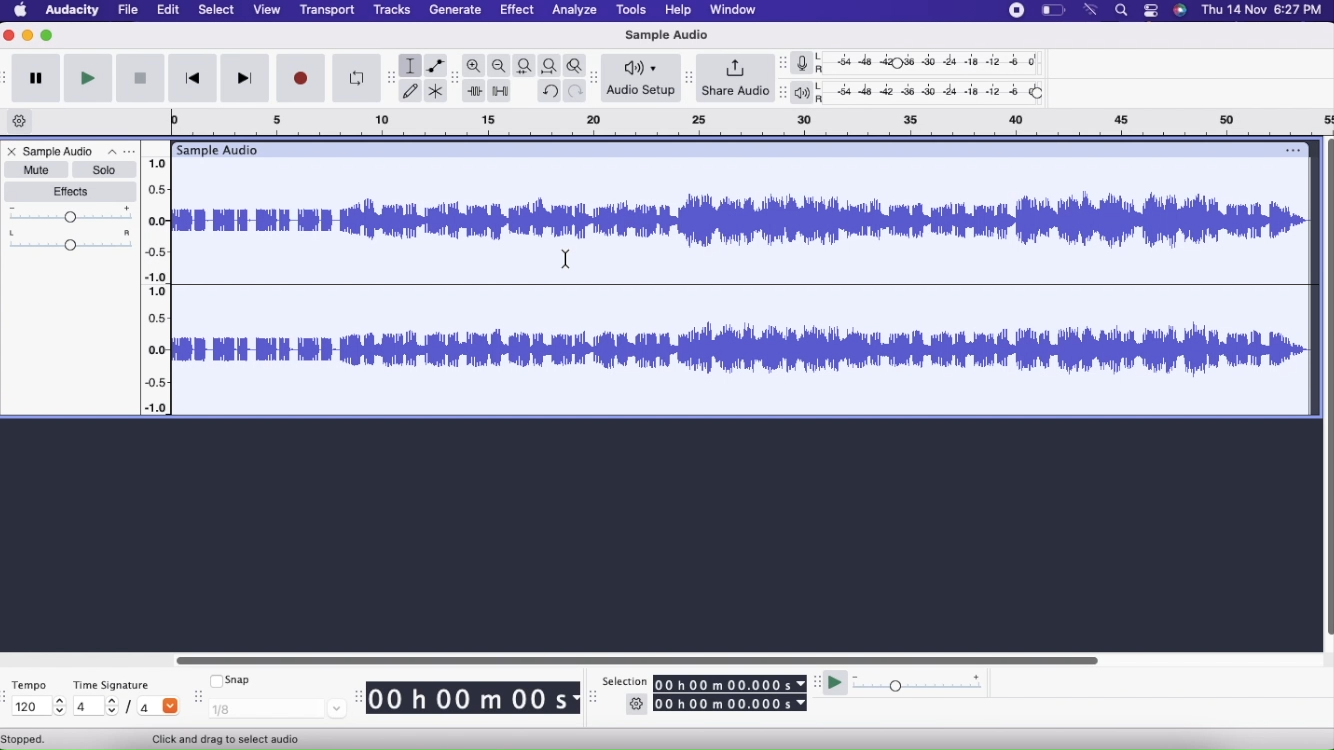  What do you see at coordinates (105, 170) in the screenshot?
I see `Solo` at bounding box center [105, 170].